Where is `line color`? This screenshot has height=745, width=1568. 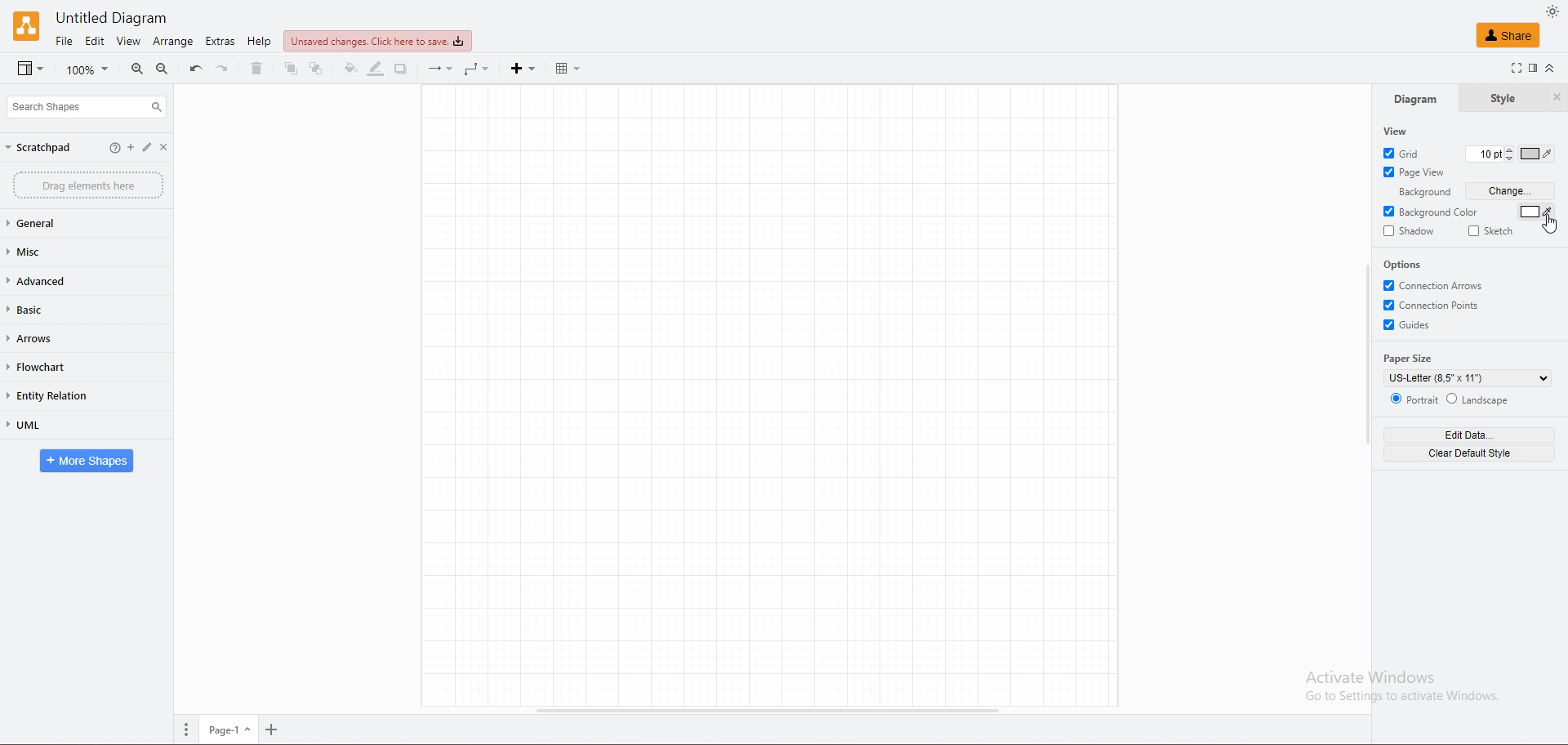
line color is located at coordinates (376, 69).